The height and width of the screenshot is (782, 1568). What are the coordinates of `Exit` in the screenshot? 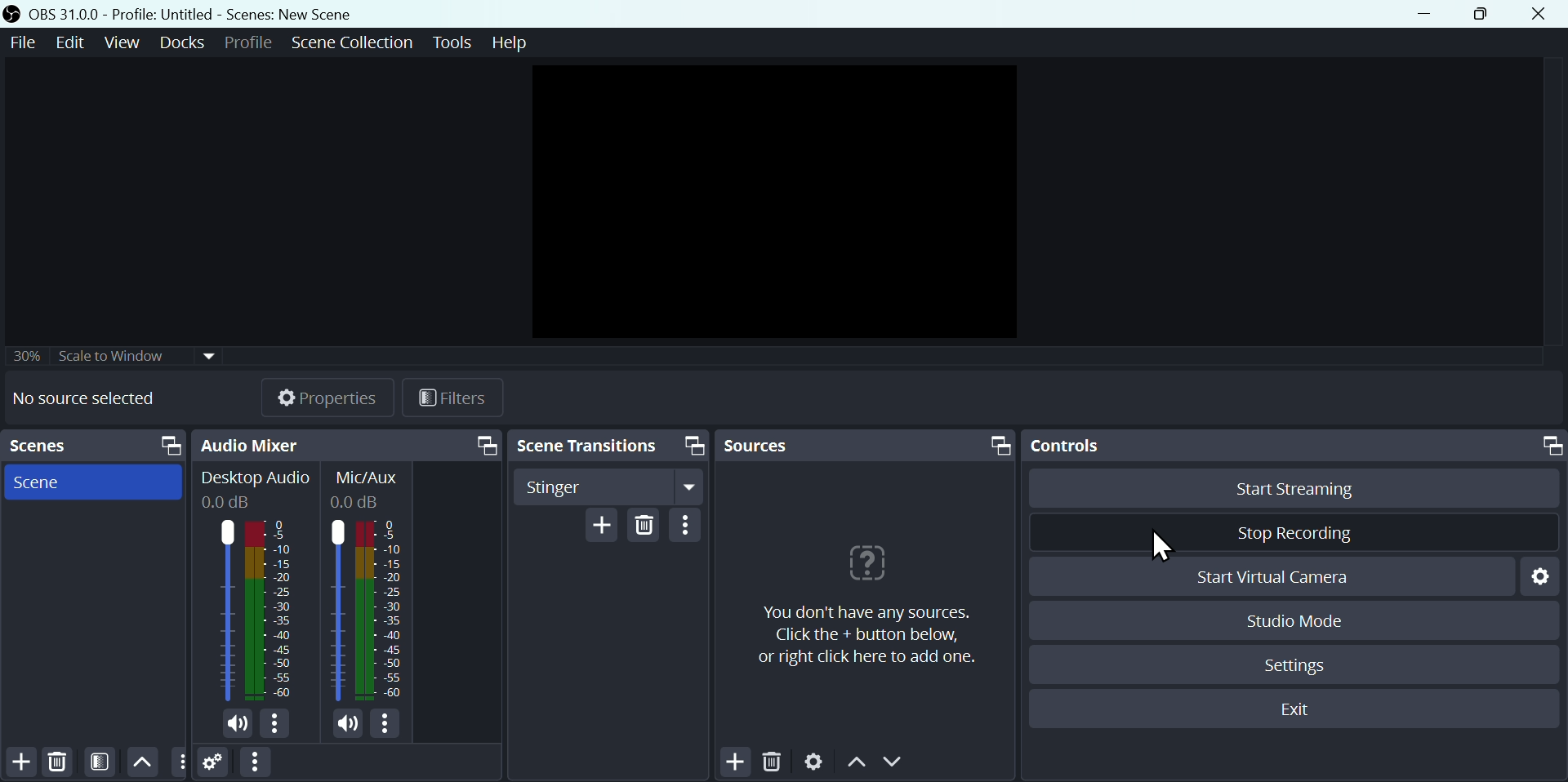 It's located at (1290, 711).